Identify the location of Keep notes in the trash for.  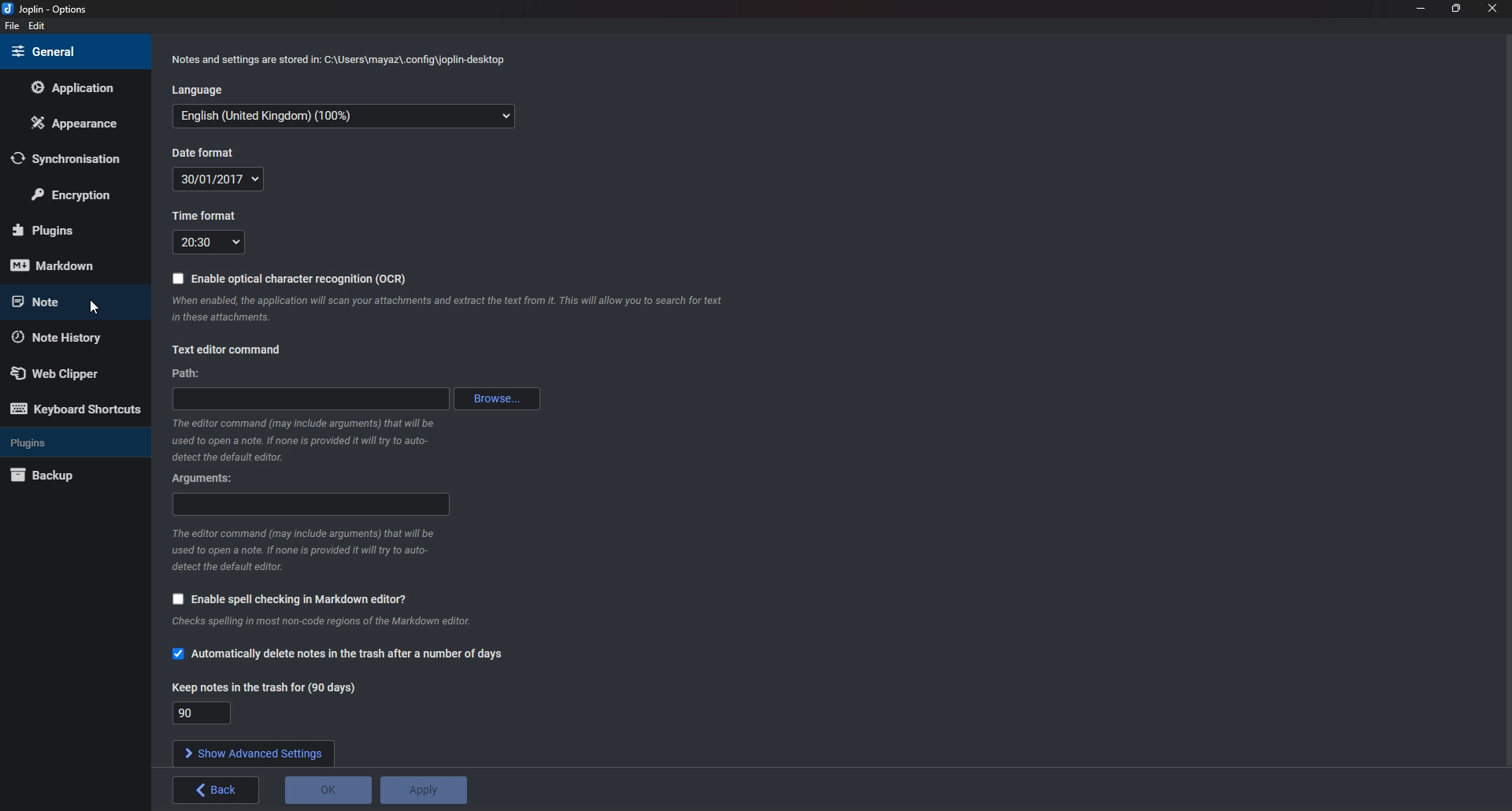
(268, 686).